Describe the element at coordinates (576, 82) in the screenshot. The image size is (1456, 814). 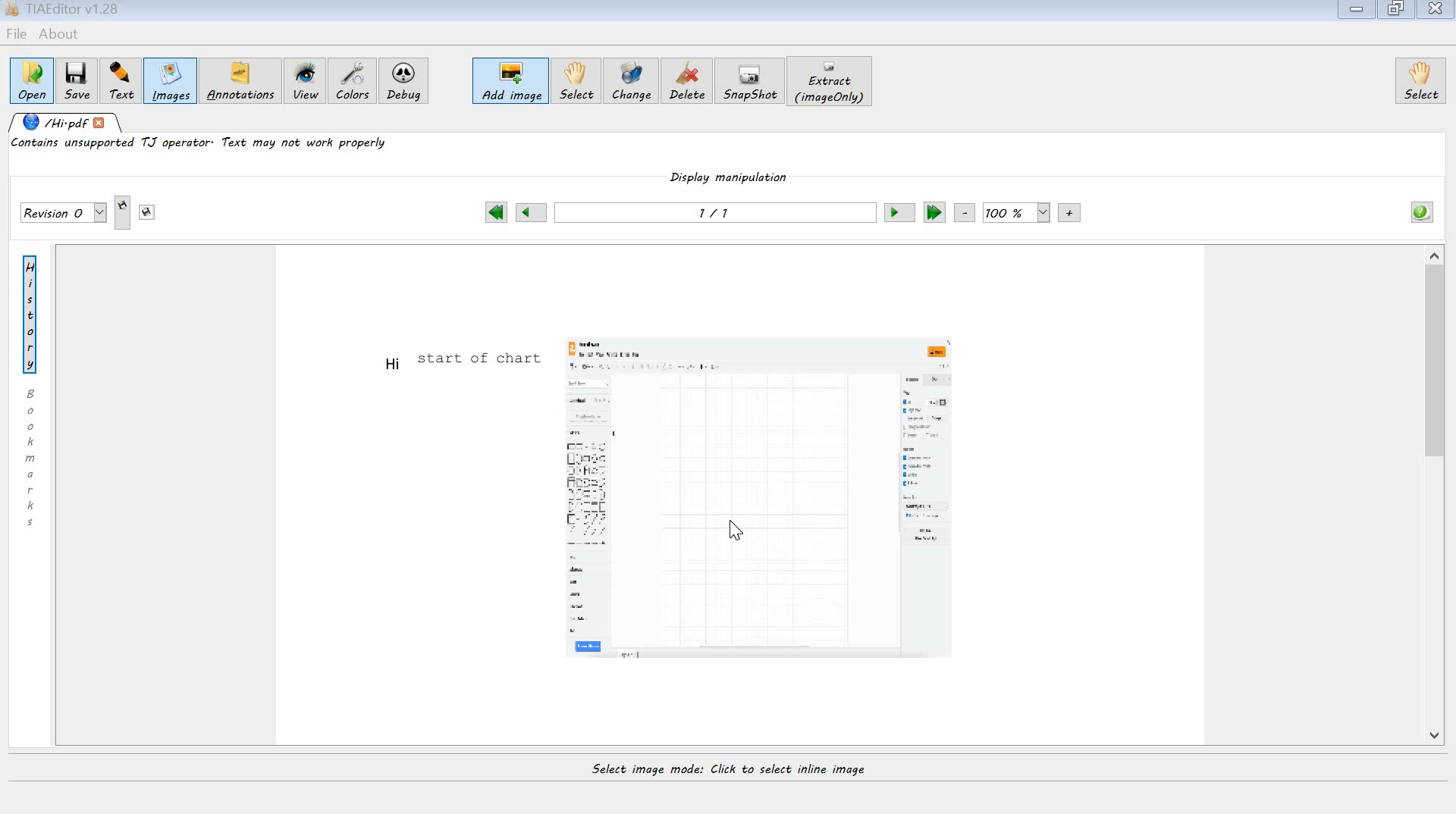
I see `select` at that location.